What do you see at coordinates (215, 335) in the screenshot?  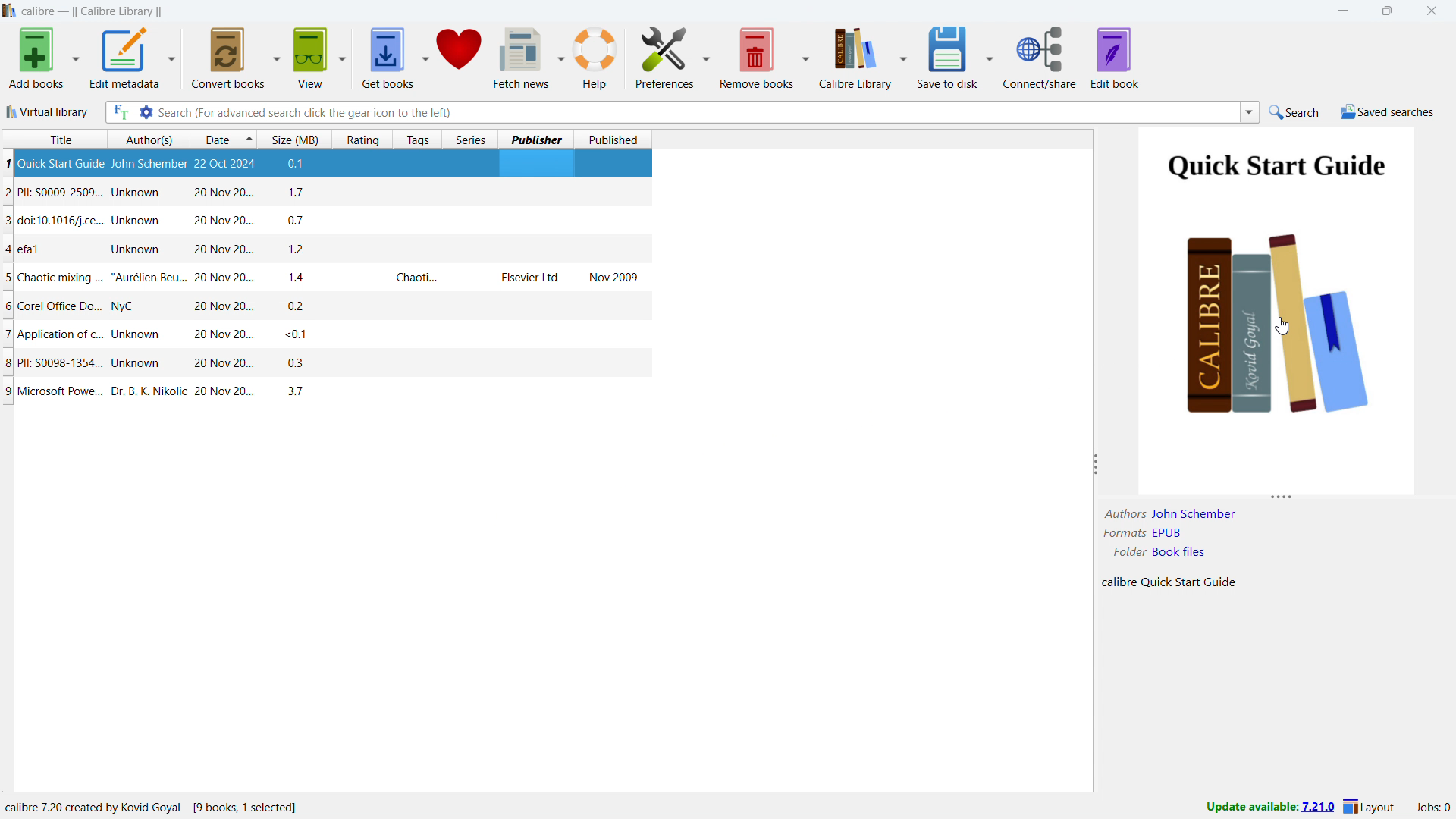 I see `20 Nov 20..` at bounding box center [215, 335].